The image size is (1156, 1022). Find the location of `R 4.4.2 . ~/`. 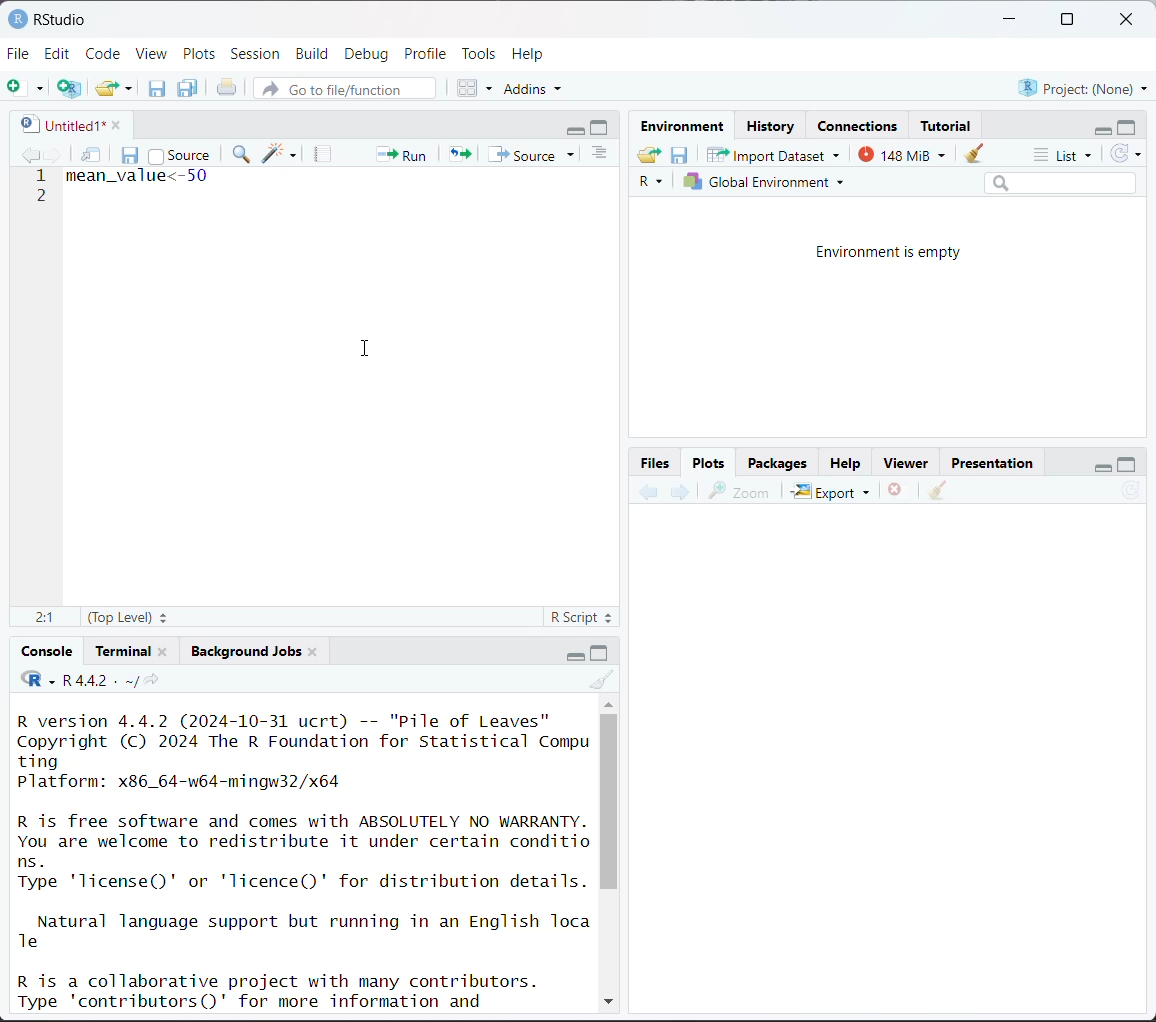

R 4.4.2 . ~/ is located at coordinates (99, 680).